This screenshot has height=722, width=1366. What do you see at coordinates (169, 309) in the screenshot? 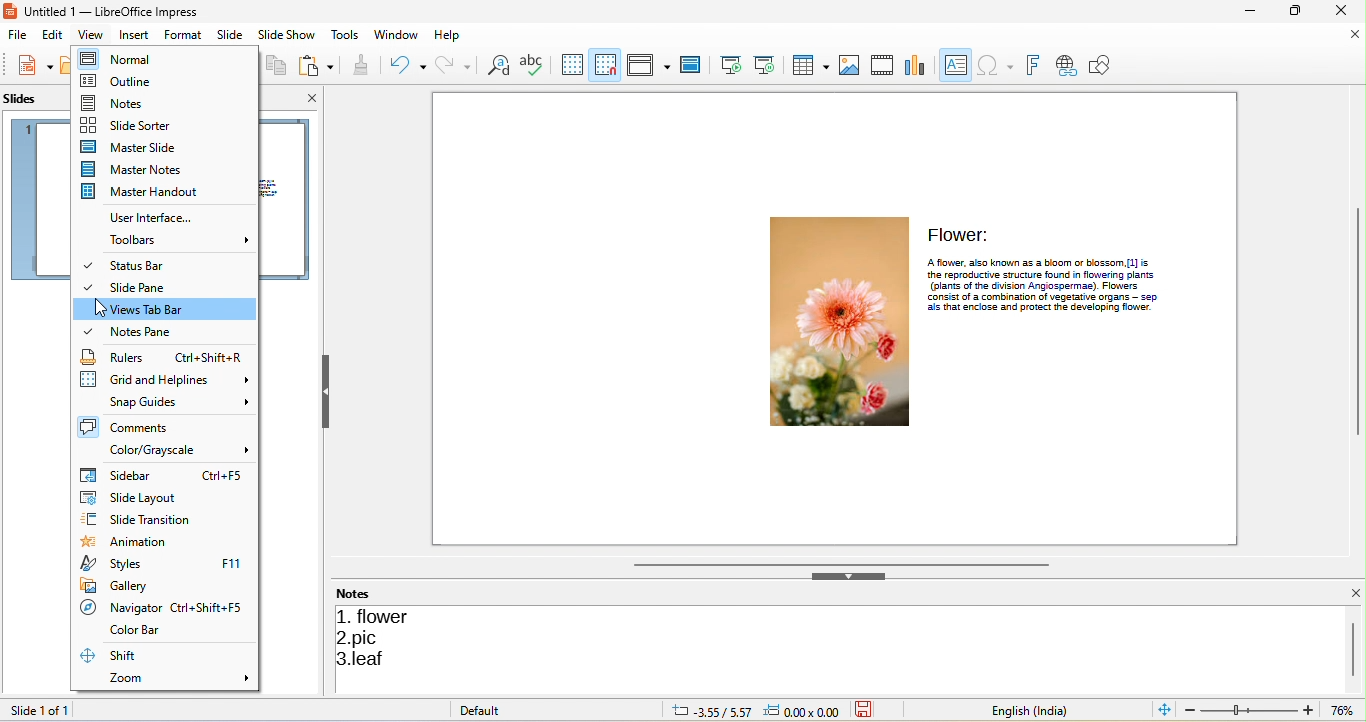
I see `views tab bar` at bounding box center [169, 309].